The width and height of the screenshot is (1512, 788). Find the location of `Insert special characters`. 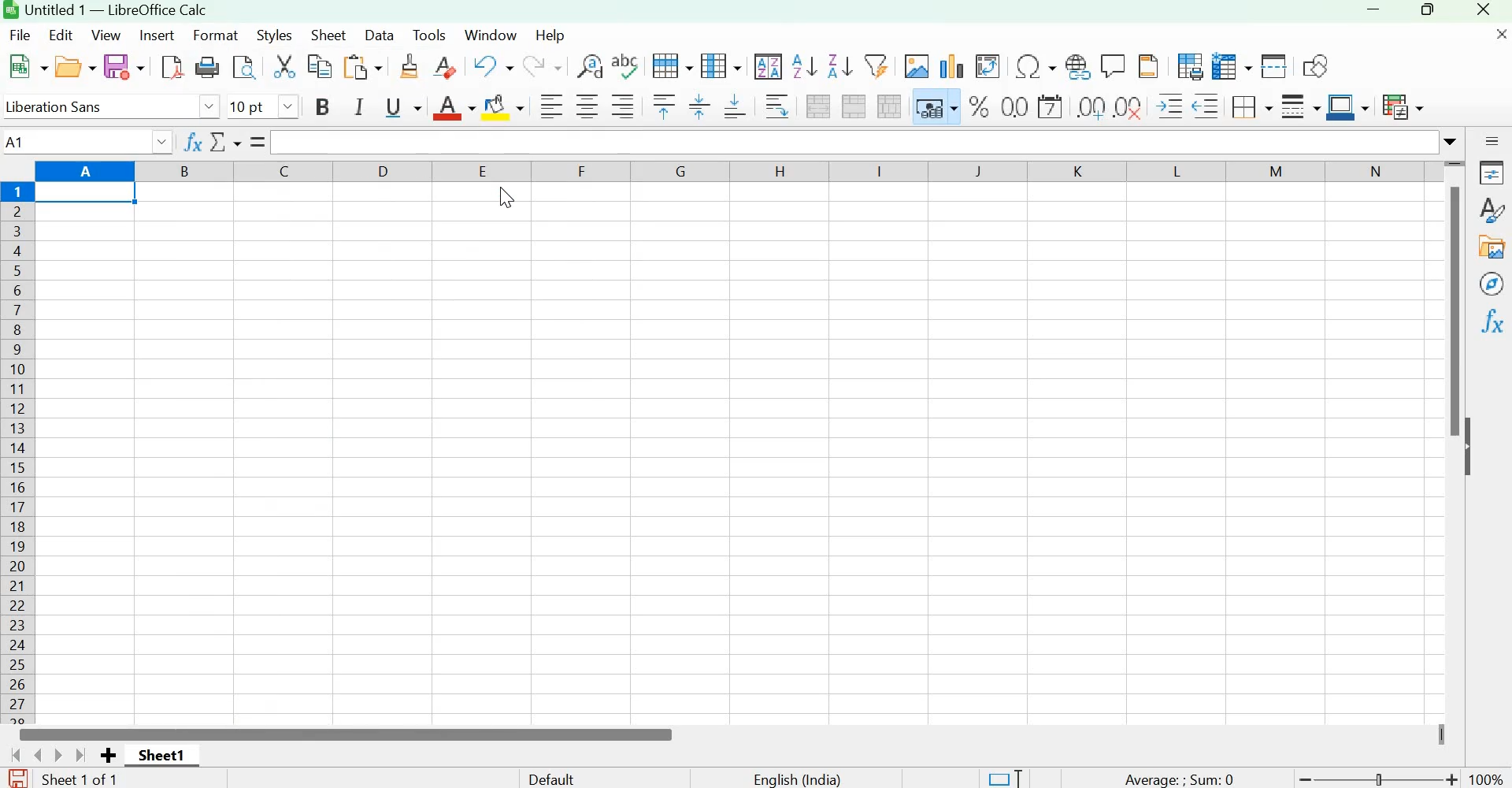

Insert special characters is located at coordinates (1034, 64).